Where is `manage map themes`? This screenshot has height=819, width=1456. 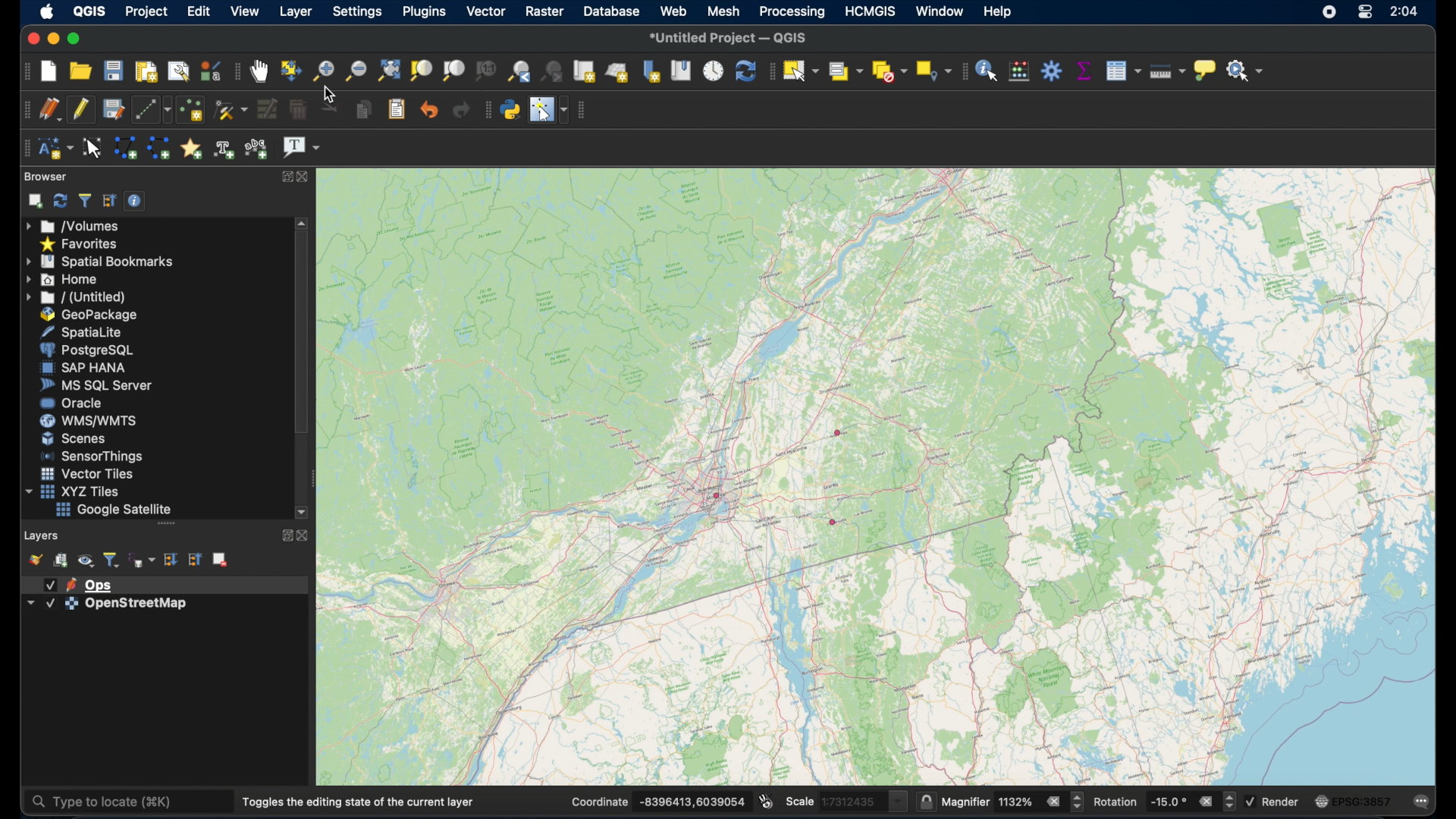
manage map themes is located at coordinates (84, 560).